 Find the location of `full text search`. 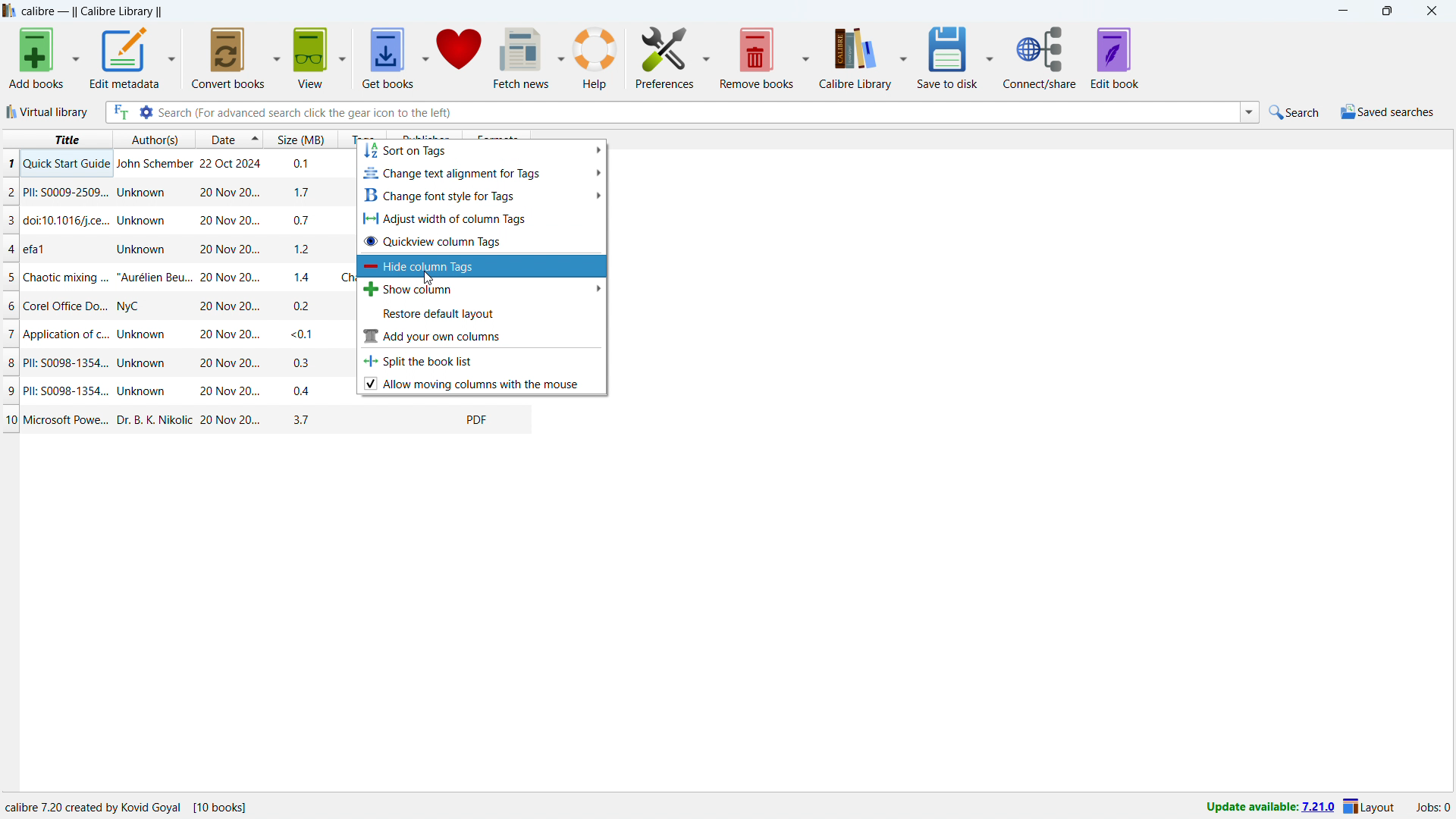

full text search is located at coordinates (121, 112).